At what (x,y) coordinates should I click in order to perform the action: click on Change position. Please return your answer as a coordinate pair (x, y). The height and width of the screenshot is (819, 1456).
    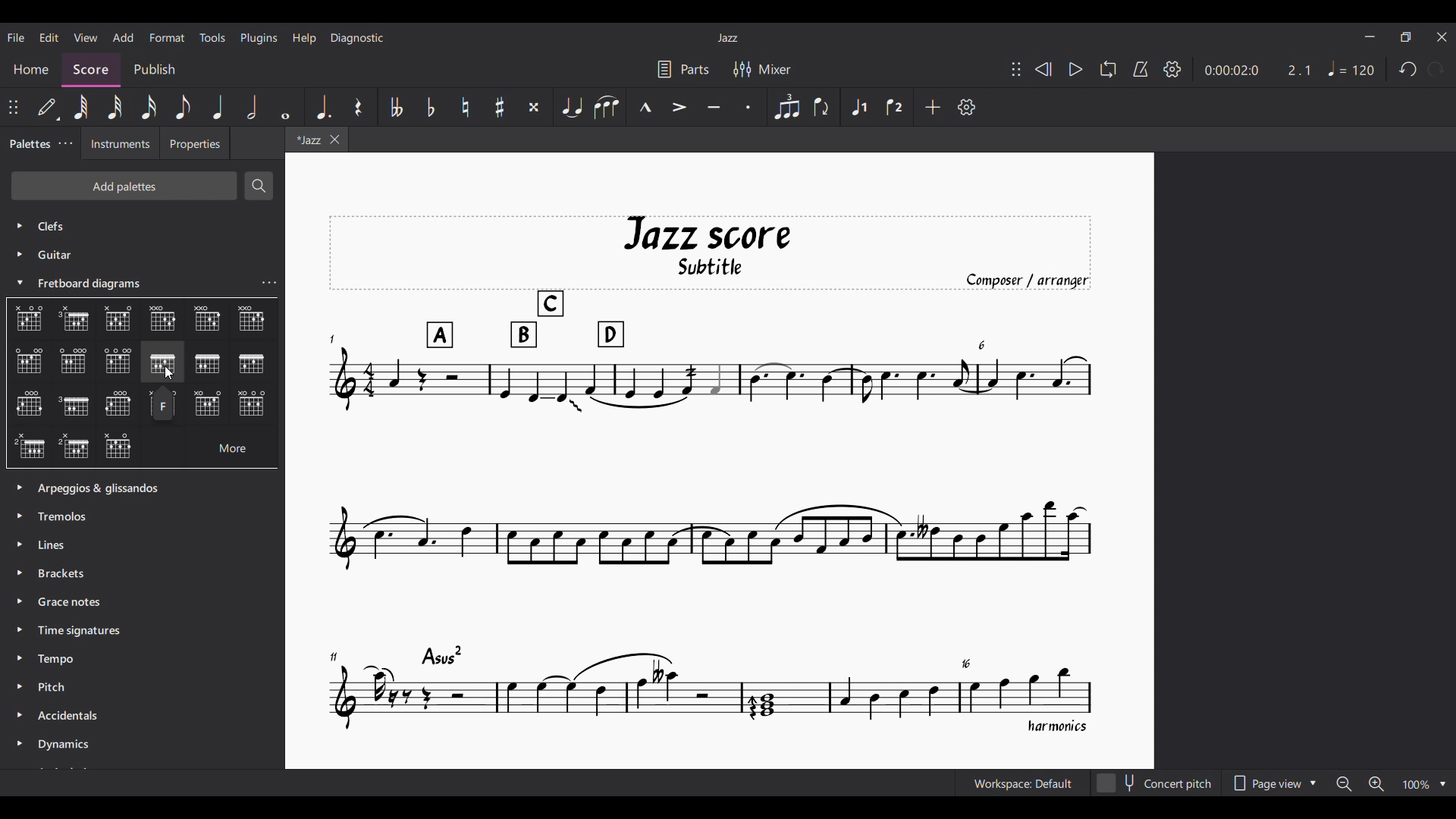
    Looking at the image, I should click on (13, 107).